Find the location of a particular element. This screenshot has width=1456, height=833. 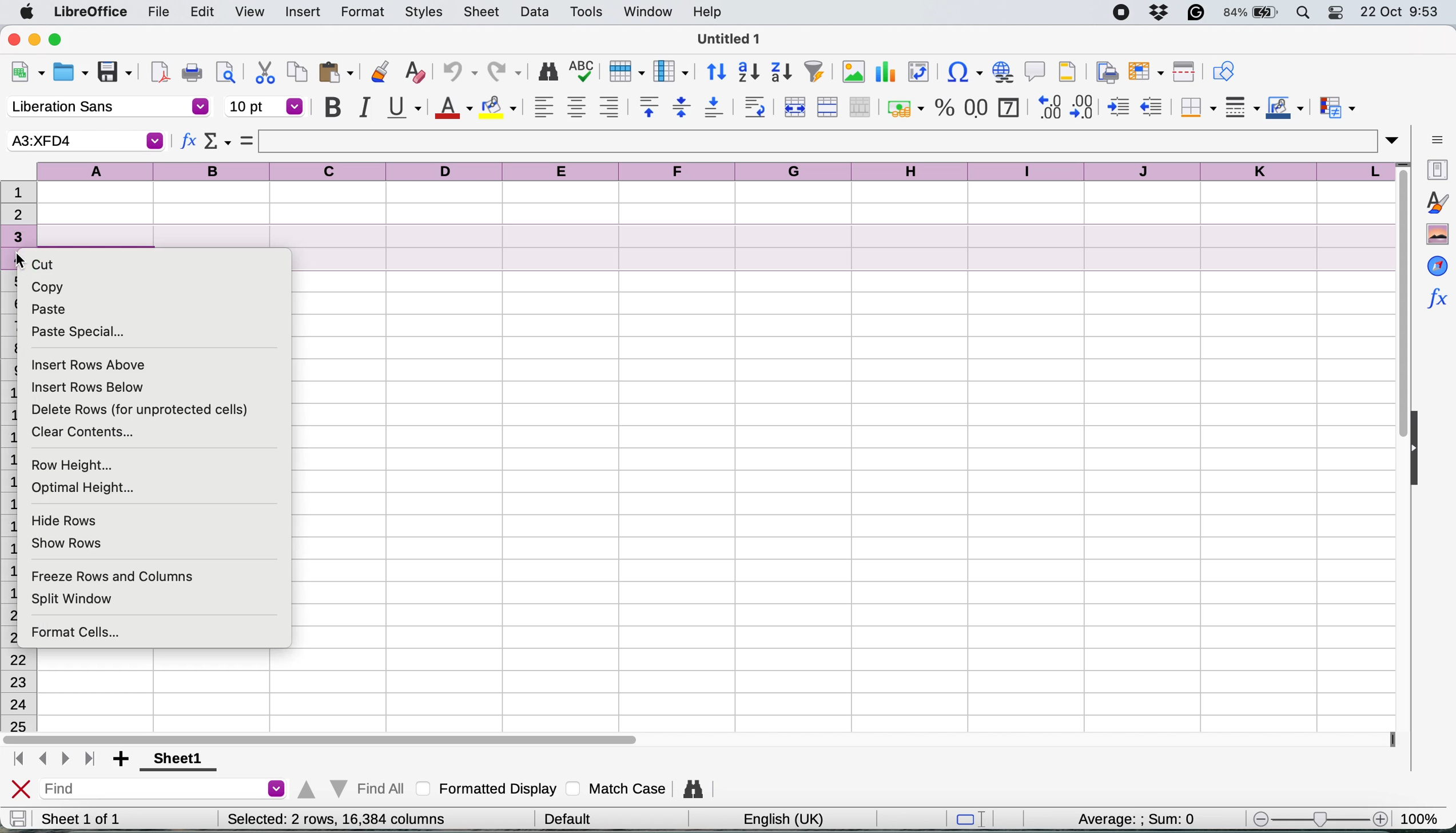

file is located at coordinates (158, 13).